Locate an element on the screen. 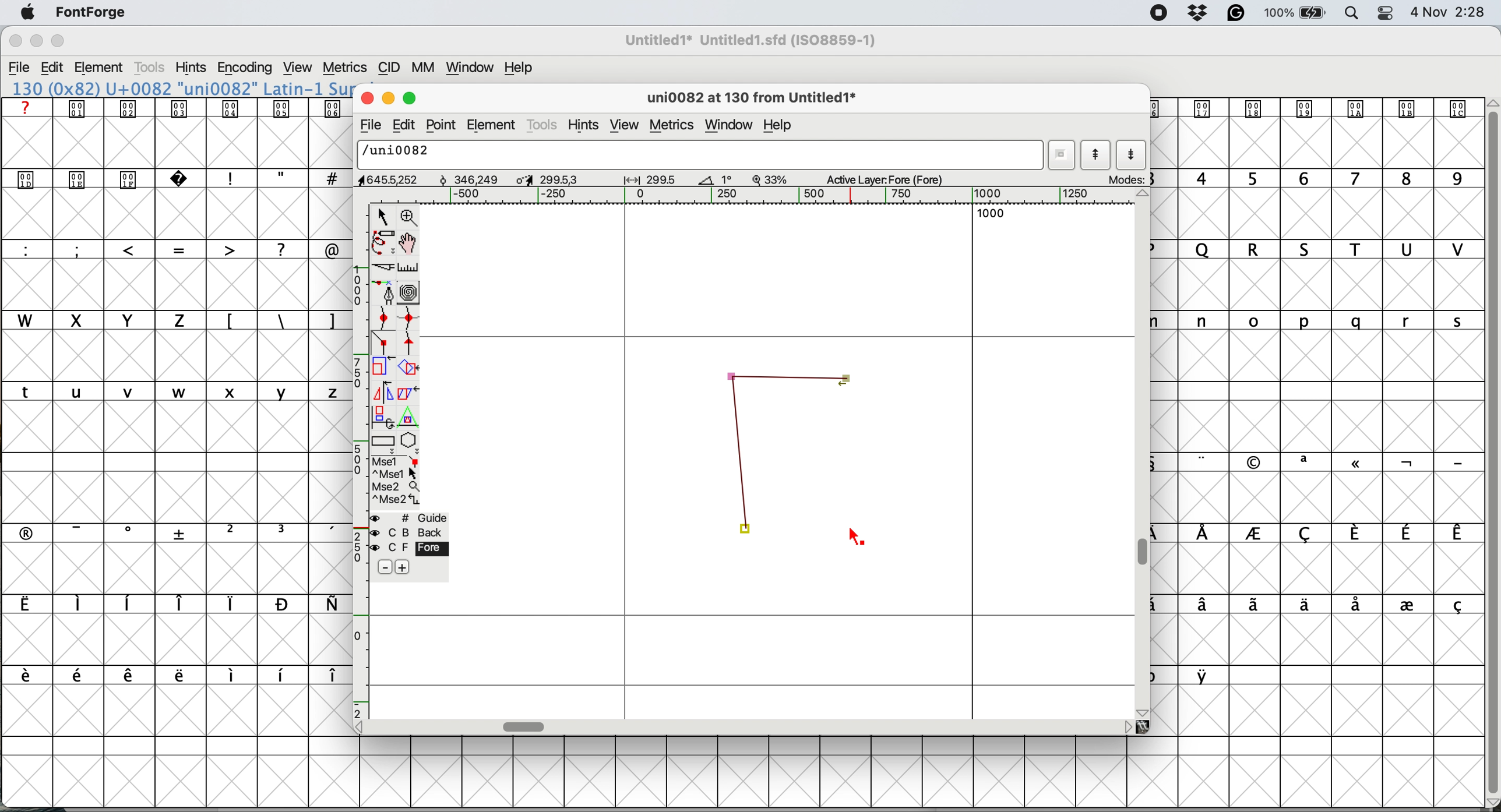 This screenshot has height=812, width=1501. scroll button is located at coordinates (1144, 711).